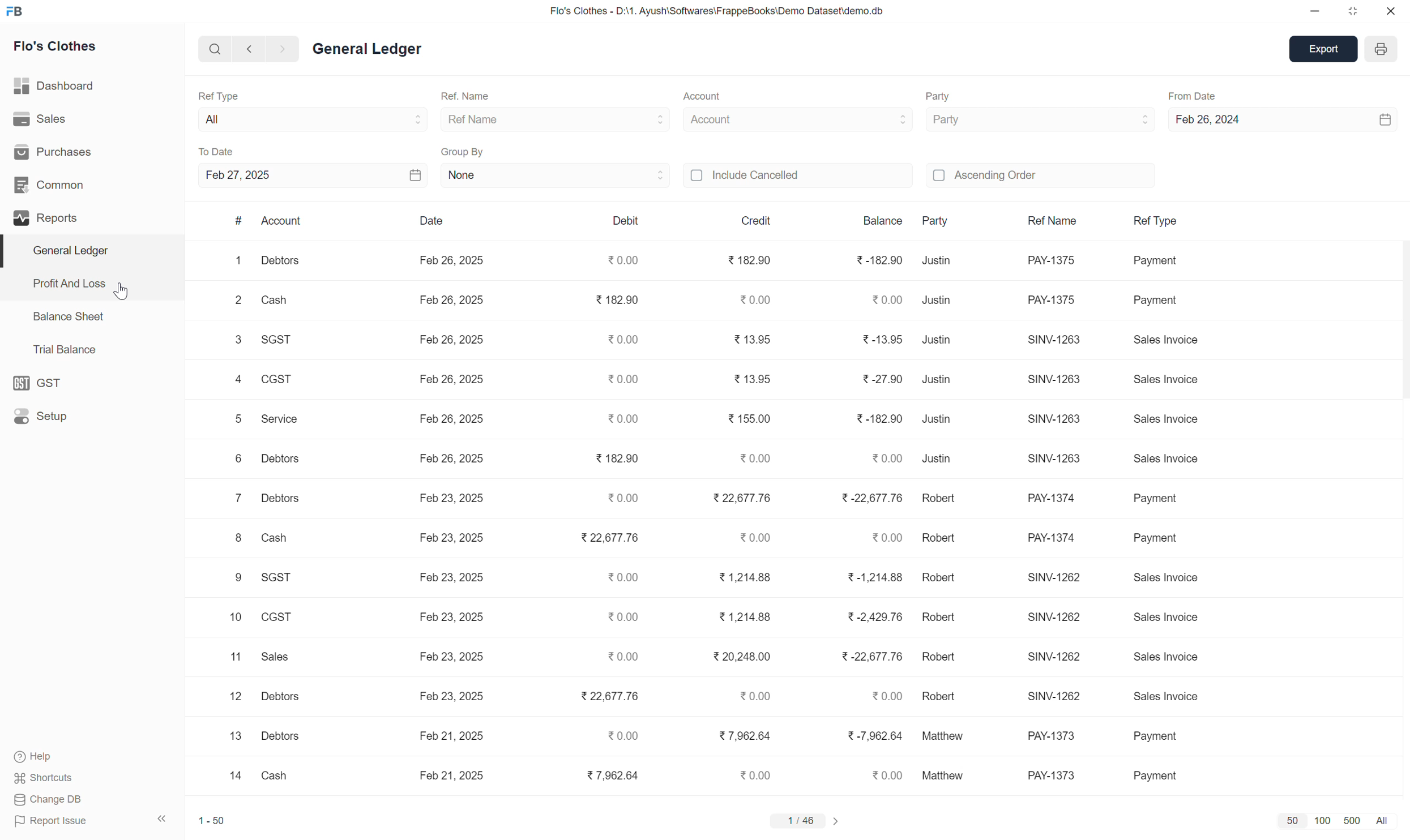 This screenshot has width=1410, height=840. What do you see at coordinates (951, 737) in the screenshot?
I see `Matthew` at bounding box center [951, 737].